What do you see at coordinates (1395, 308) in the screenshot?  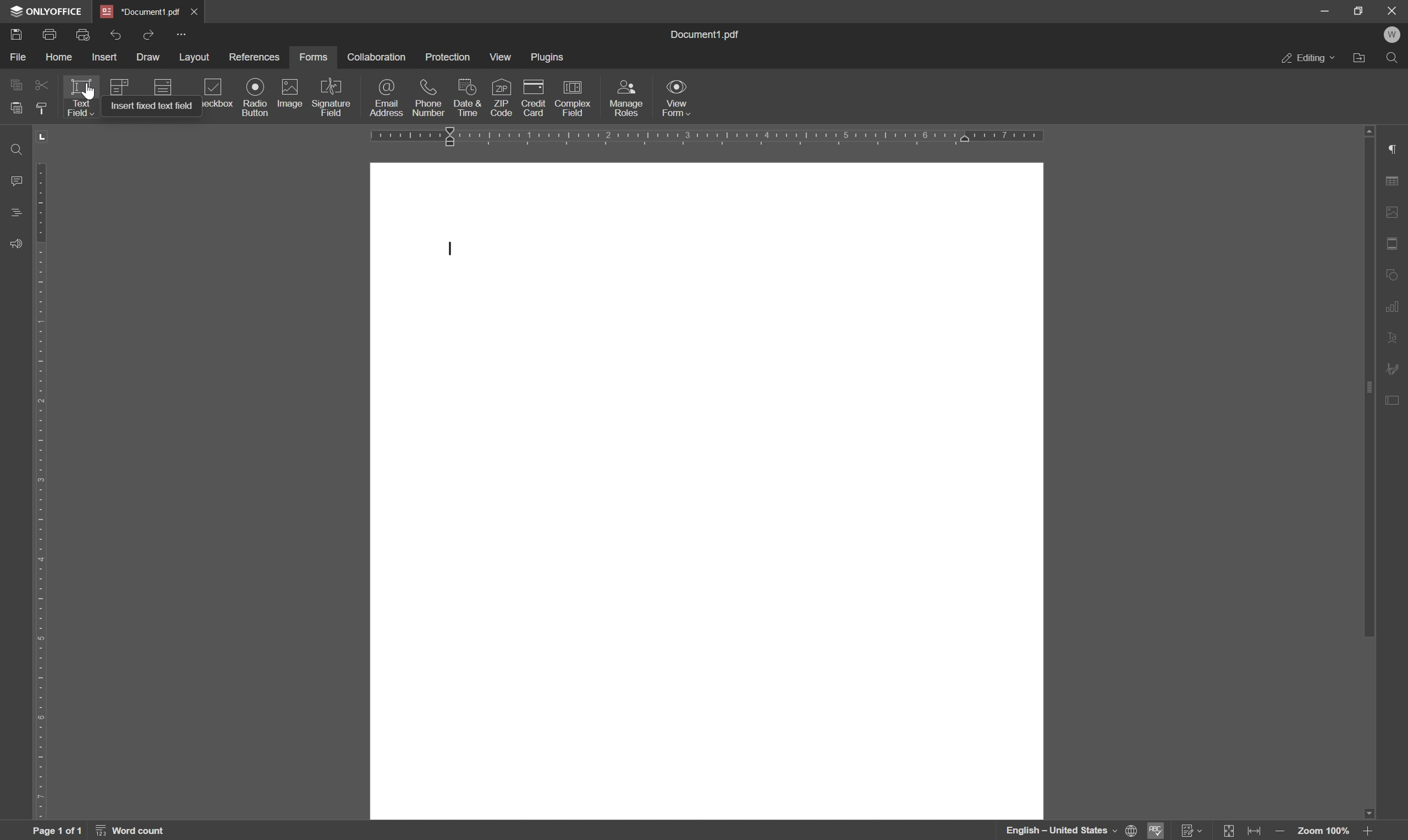 I see `chart settings` at bounding box center [1395, 308].